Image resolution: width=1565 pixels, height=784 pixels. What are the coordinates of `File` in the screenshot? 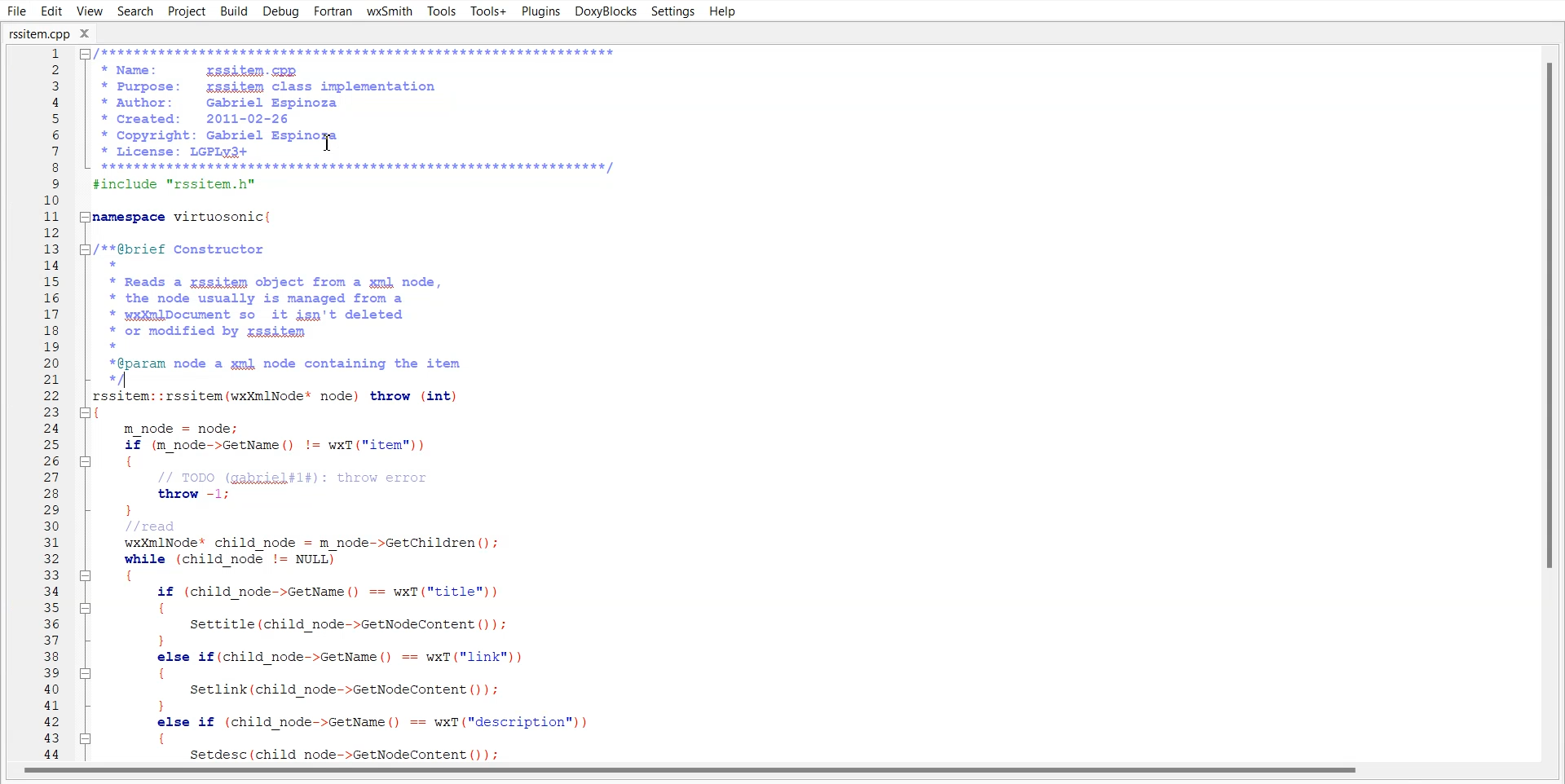 It's located at (18, 11).